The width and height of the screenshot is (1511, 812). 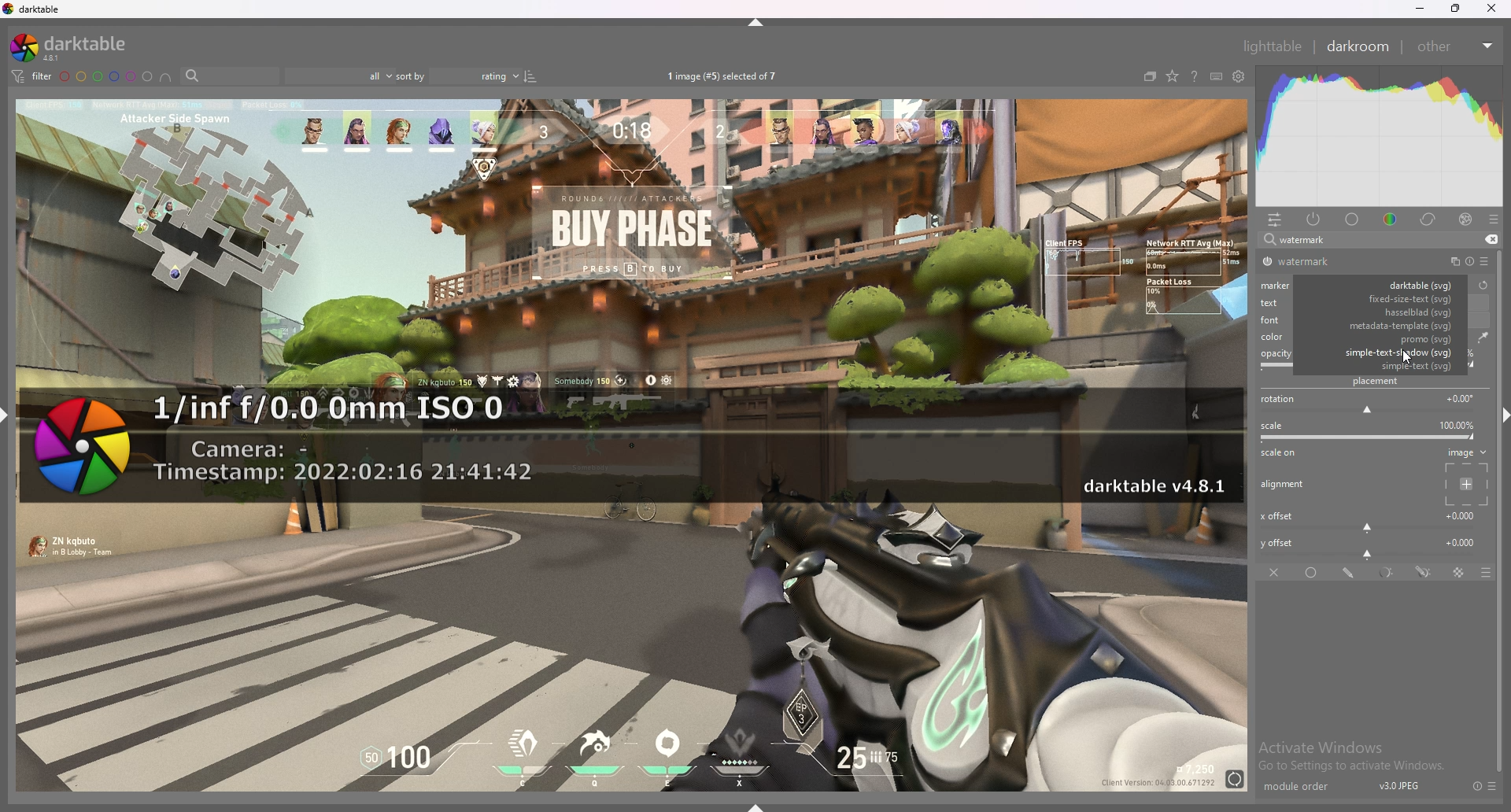 What do you see at coordinates (230, 76) in the screenshot?
I see `filter by text` at bounding box center [230, 76].